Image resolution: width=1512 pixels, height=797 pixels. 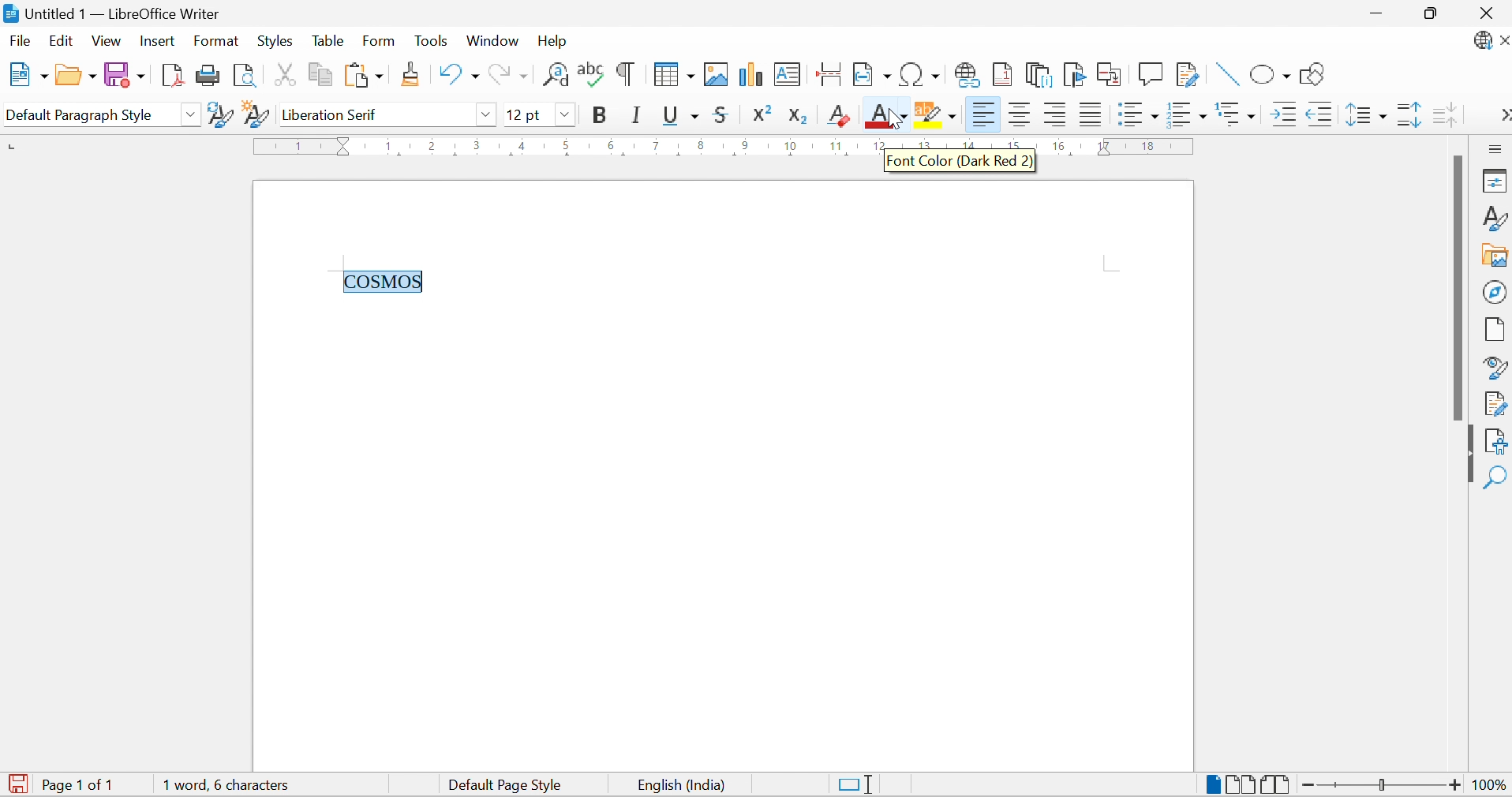 I want to click on Toggle Print Preview, so click(x=243, y=75).